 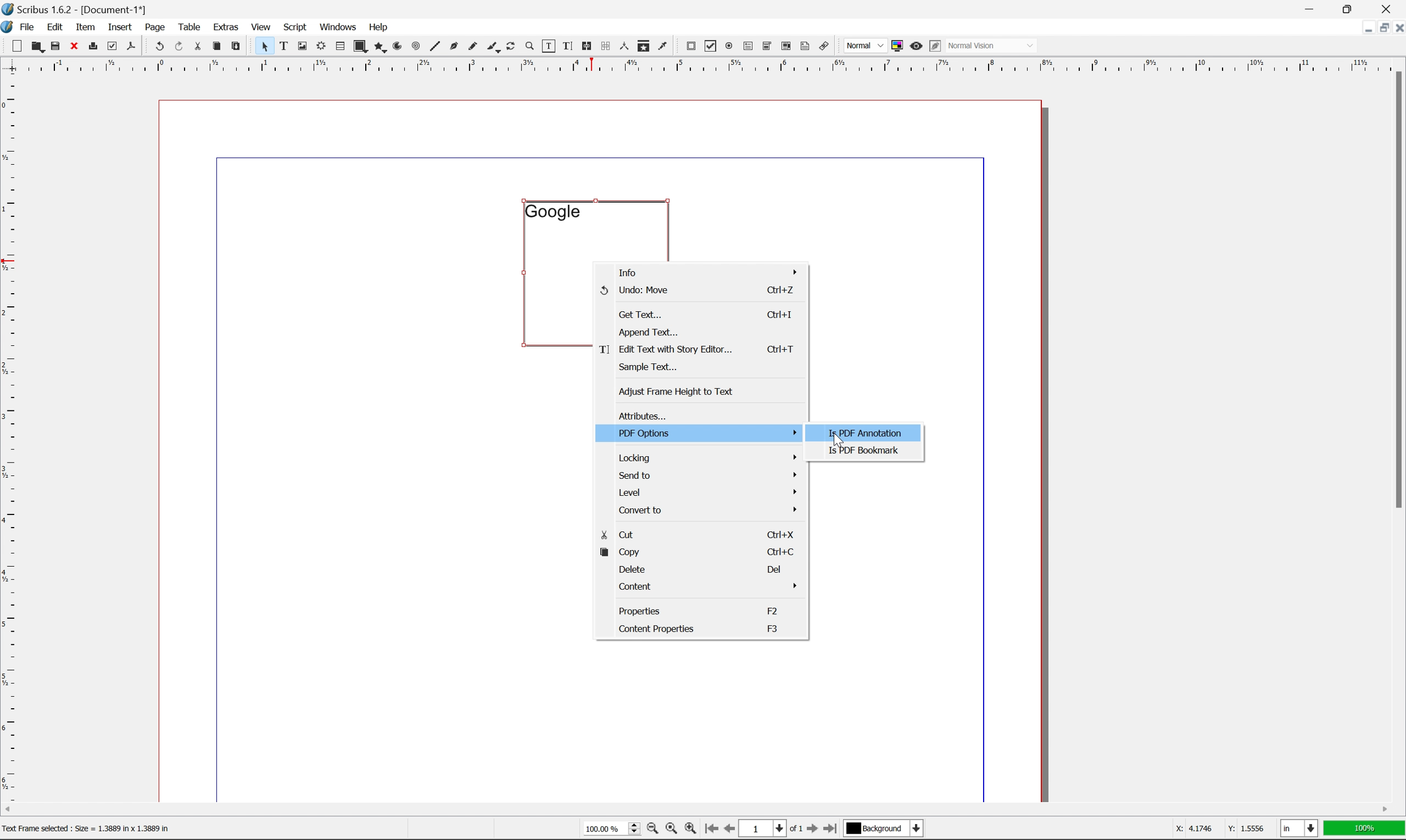 I want to click on text annotation, so click(x=805, y=46).